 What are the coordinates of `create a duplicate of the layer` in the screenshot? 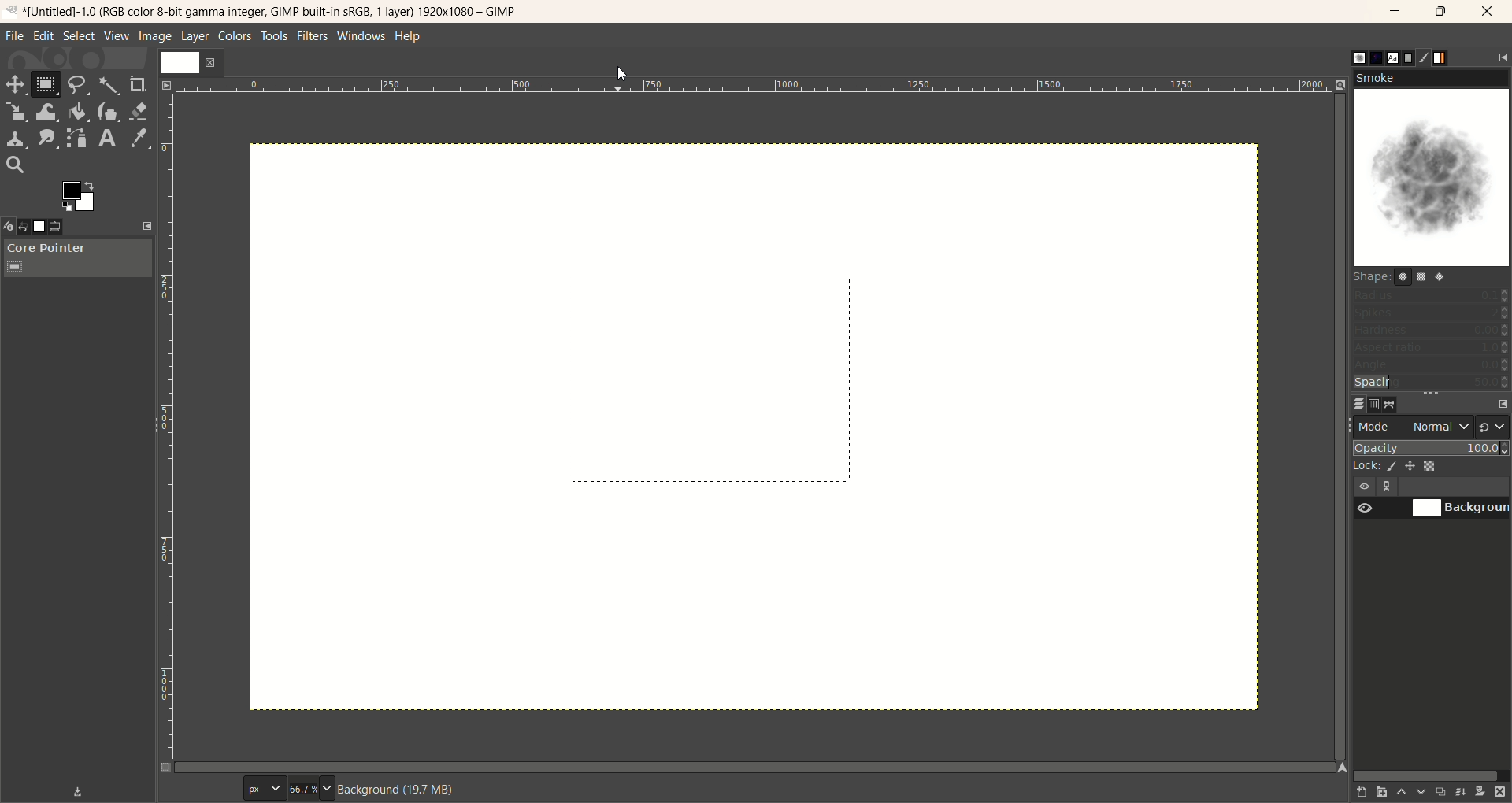 It's located at (1440, 793).